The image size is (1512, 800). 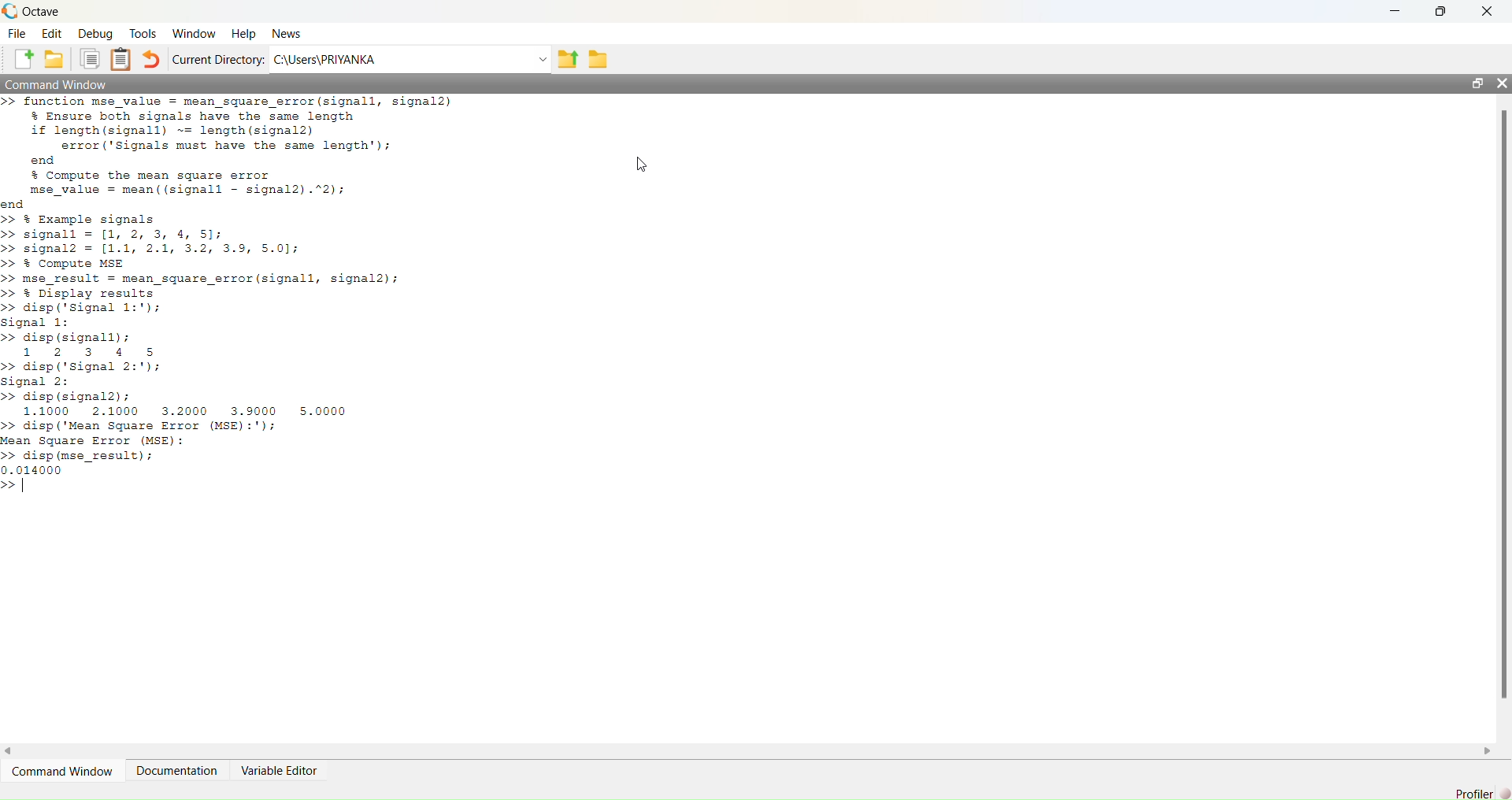 What do you see at coordinates (1397, 9) in the screenshot?
I see `minimise` at bounding box center [1397, 9].